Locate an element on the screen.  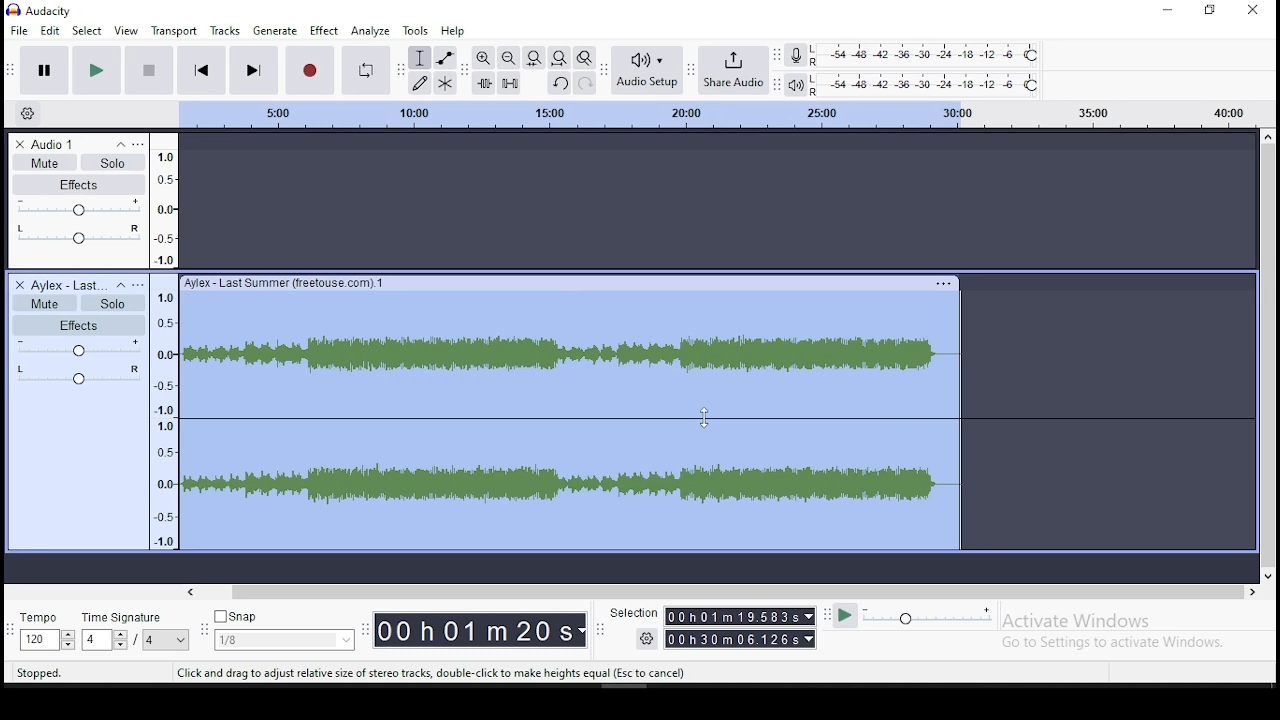
volume is located at coordinates (77, 208).